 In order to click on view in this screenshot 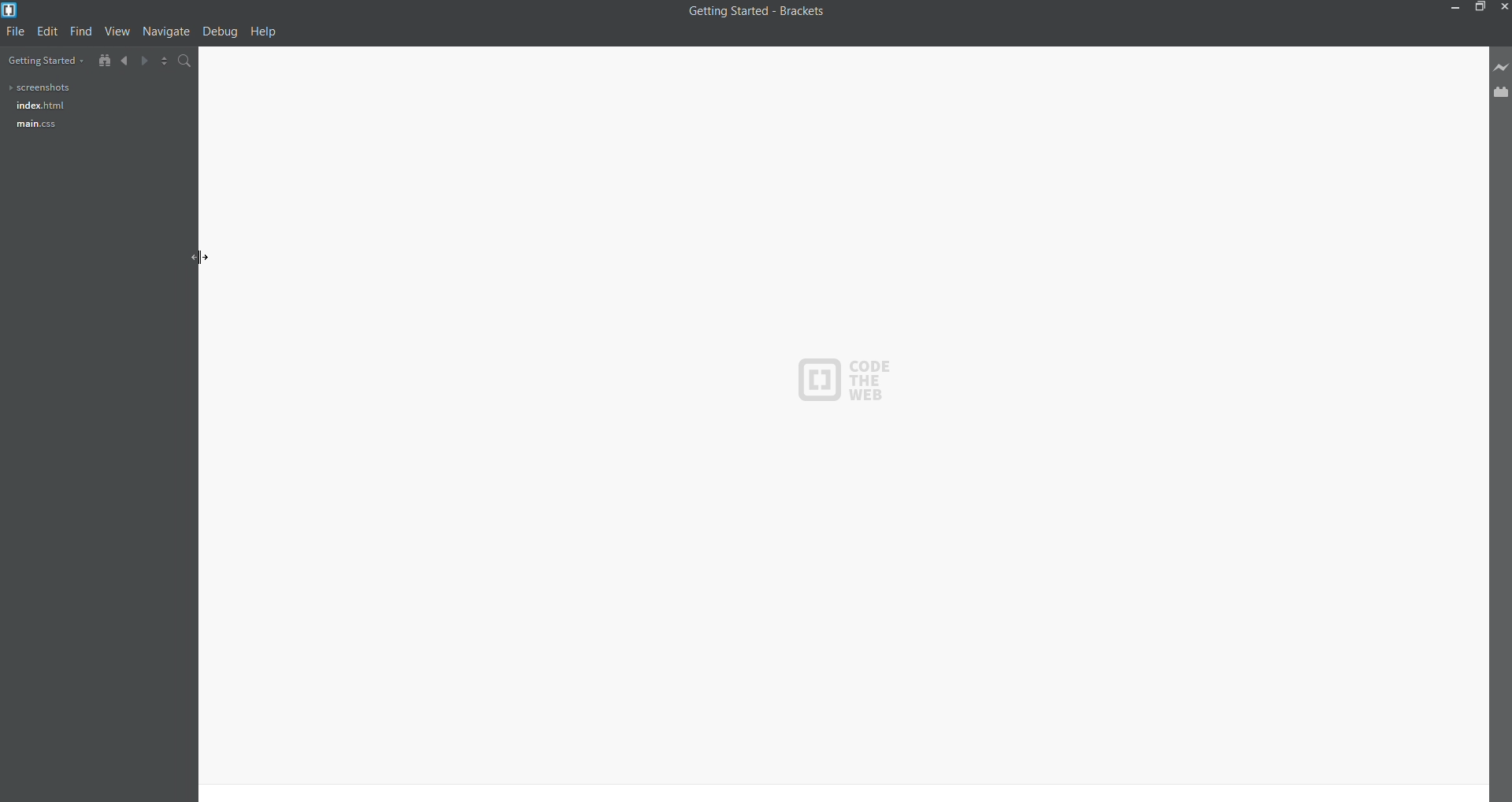, I will do `click(116, 30)`.